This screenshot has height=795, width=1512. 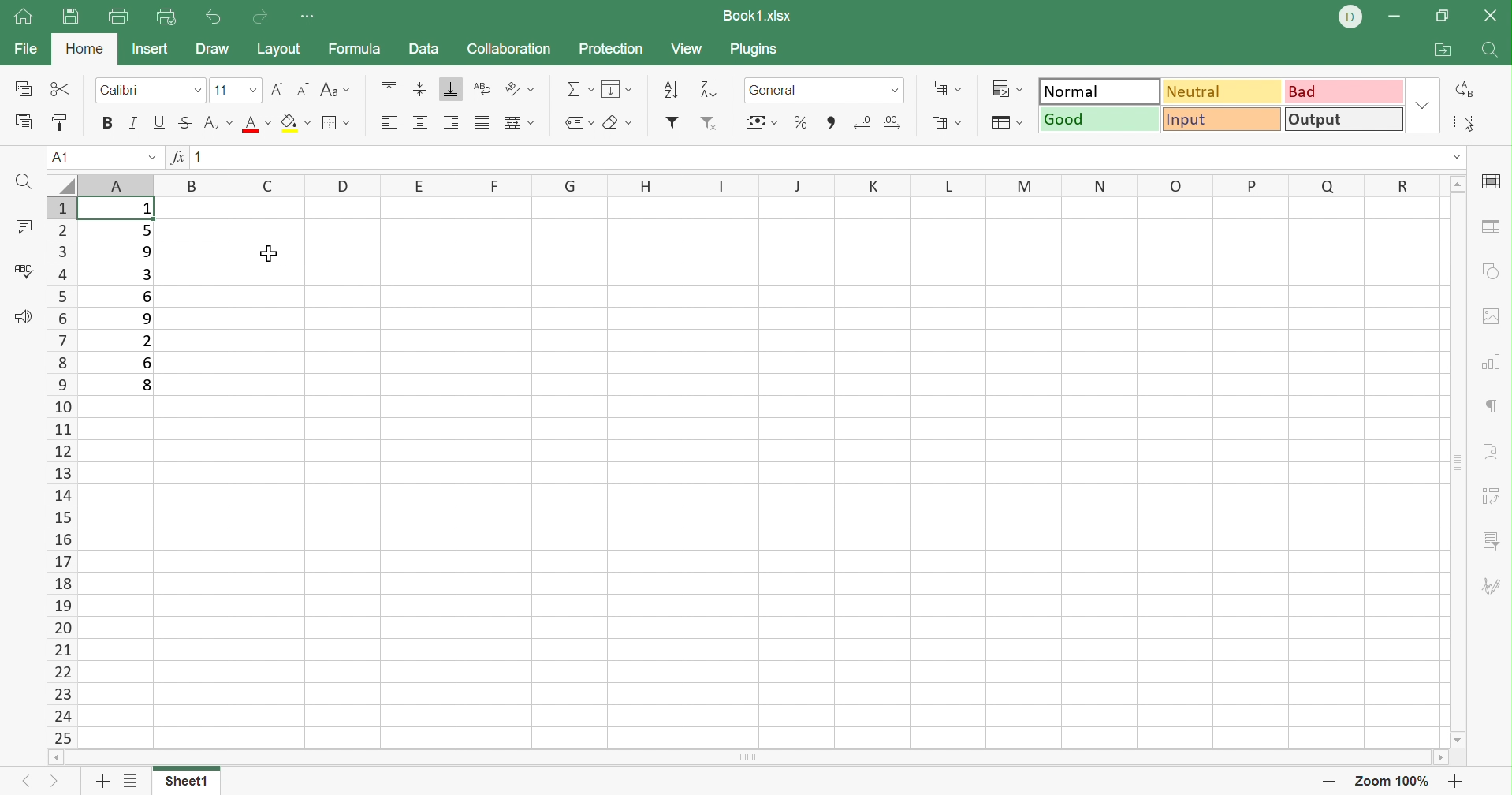 What do you see at coordinates (511, 50) in the screenshot?
I see `ollaboration` at bounding box center [511, 50].